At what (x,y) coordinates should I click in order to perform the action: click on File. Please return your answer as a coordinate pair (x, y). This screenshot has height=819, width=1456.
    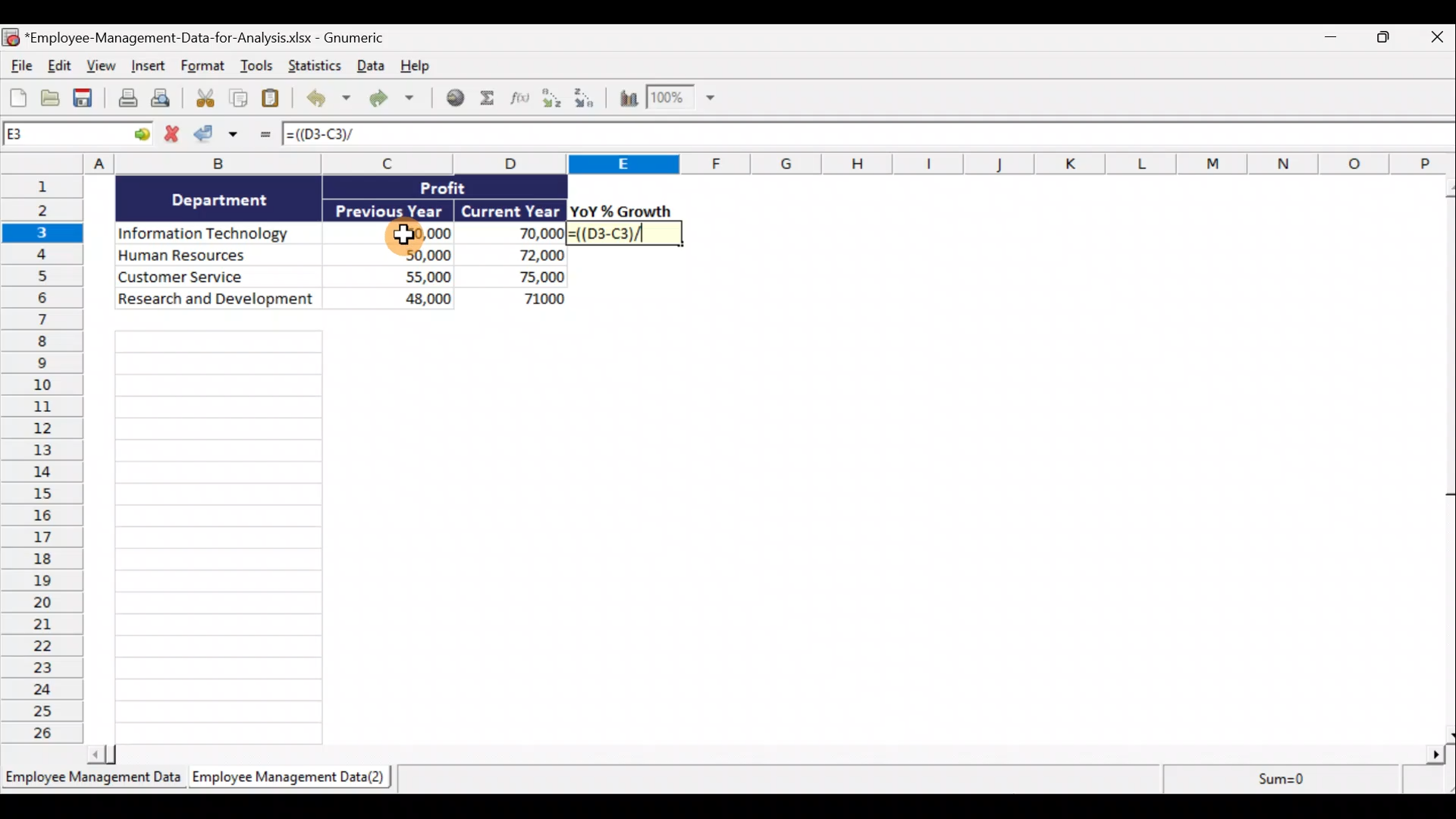
    Looking at the image, I should click on (19, 64).